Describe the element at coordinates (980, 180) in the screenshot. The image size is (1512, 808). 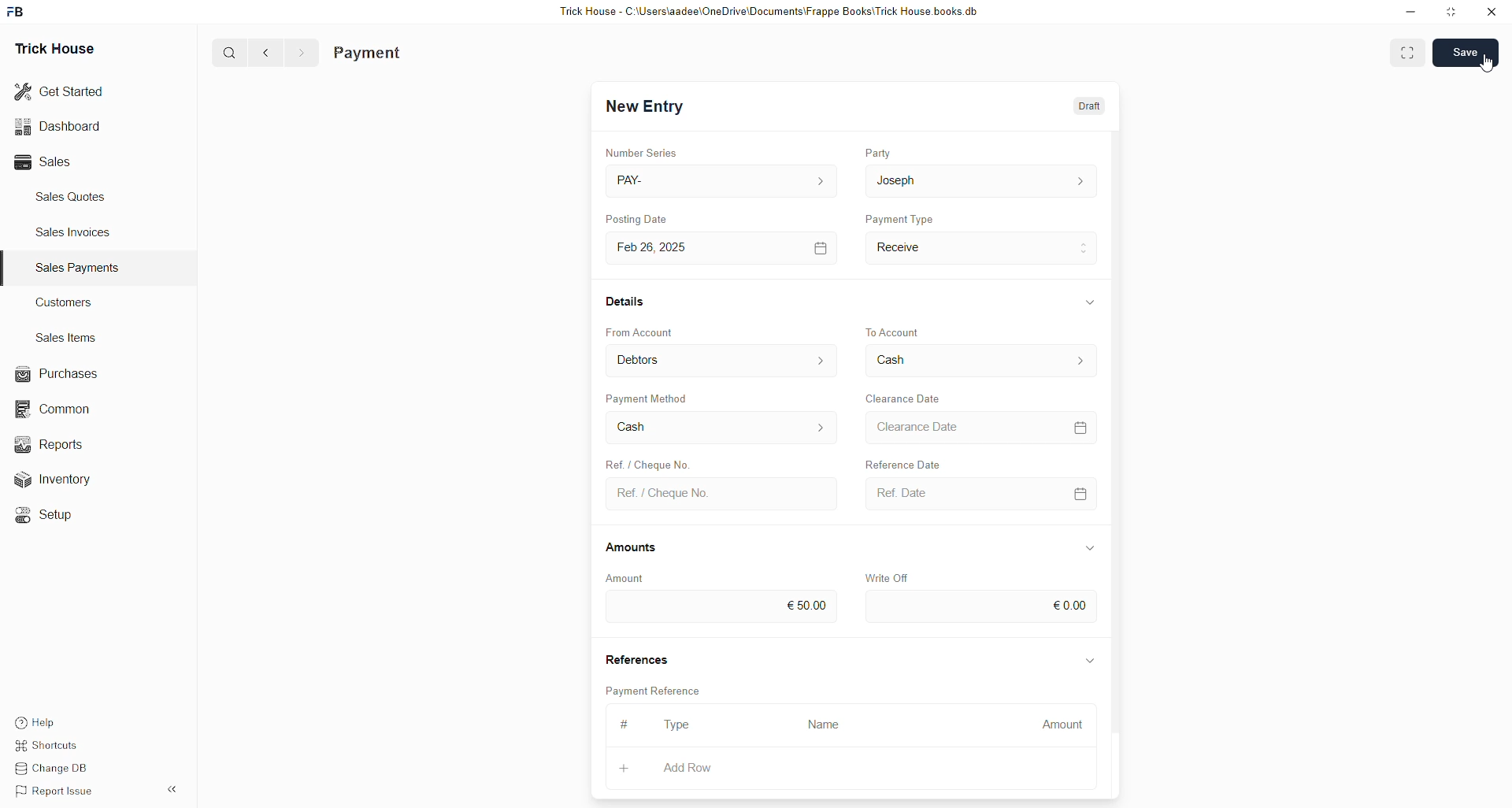
I see `Josep` at that location.